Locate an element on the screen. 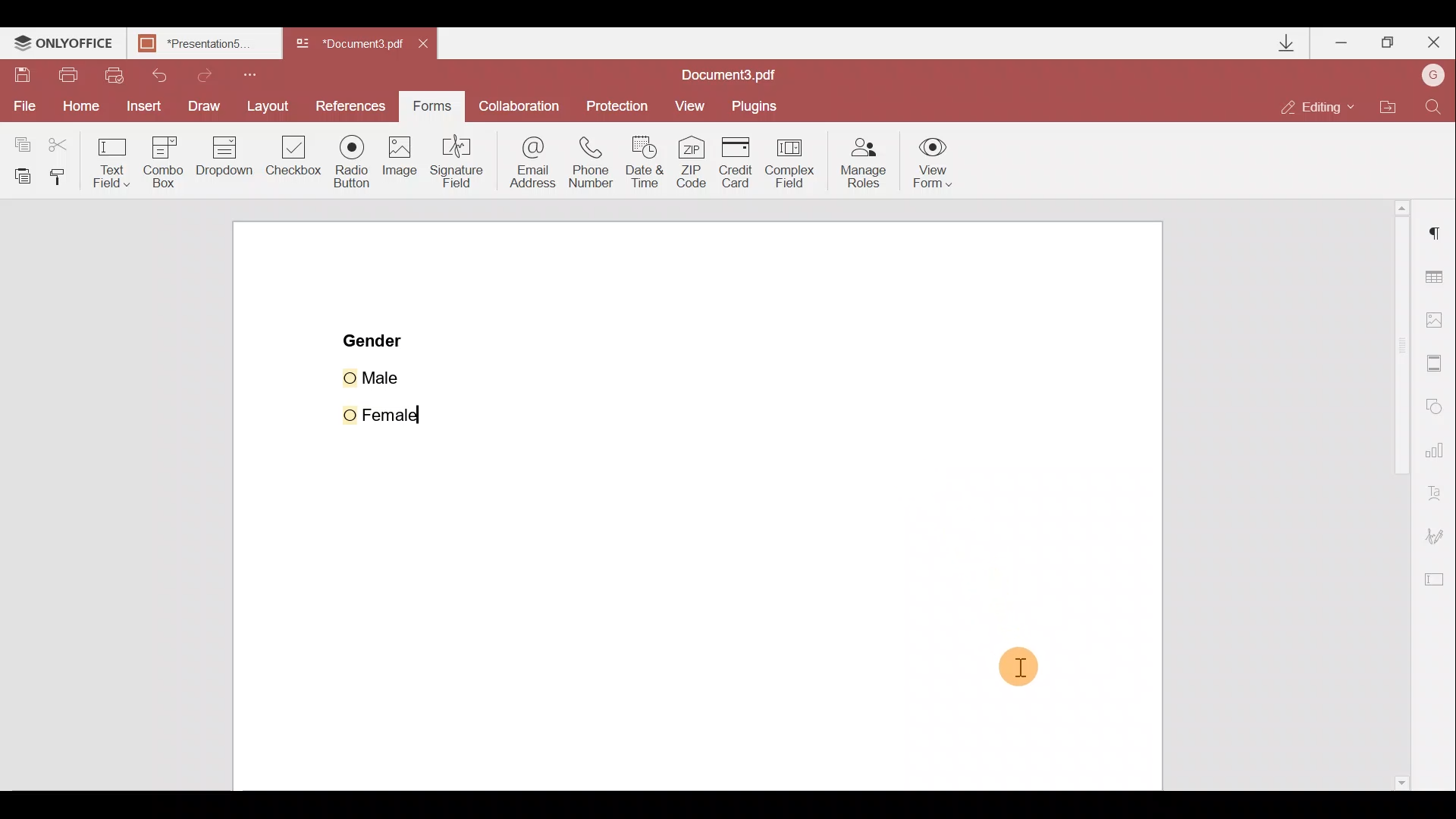 Image resolution: width=1456 pixels, height=819 pixels. Minimize is located at coordinates (1341, 42).